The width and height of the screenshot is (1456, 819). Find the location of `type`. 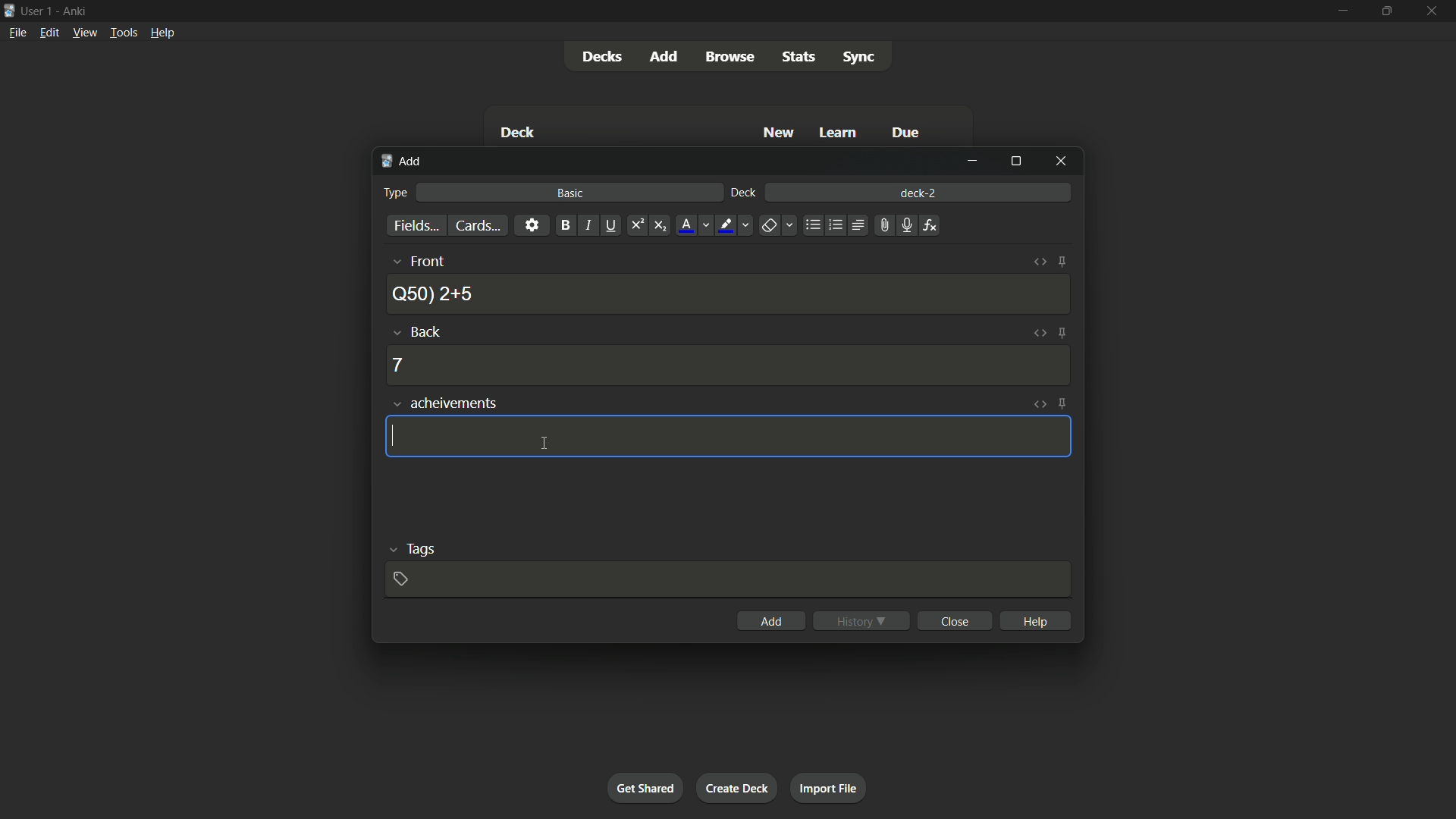

type is located at coordinates (395, 193).